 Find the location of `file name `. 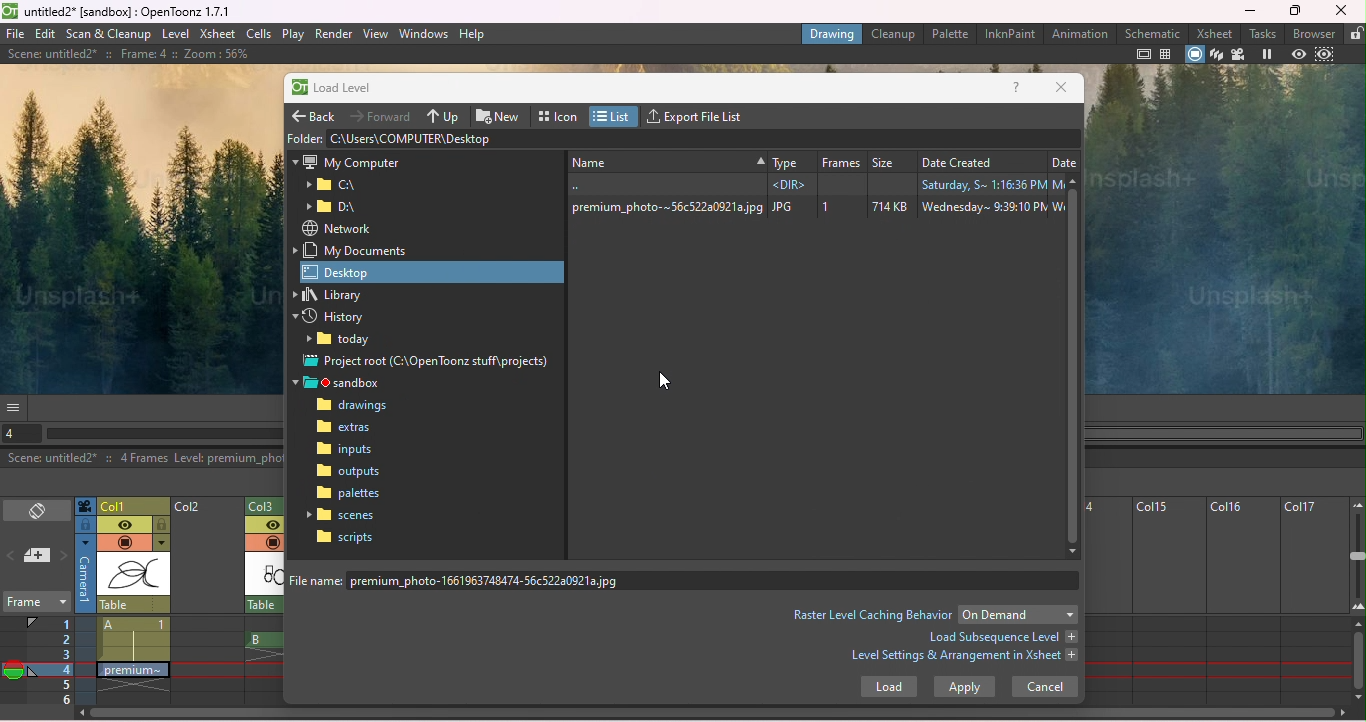

file name  is located at coordinates (688, 580).